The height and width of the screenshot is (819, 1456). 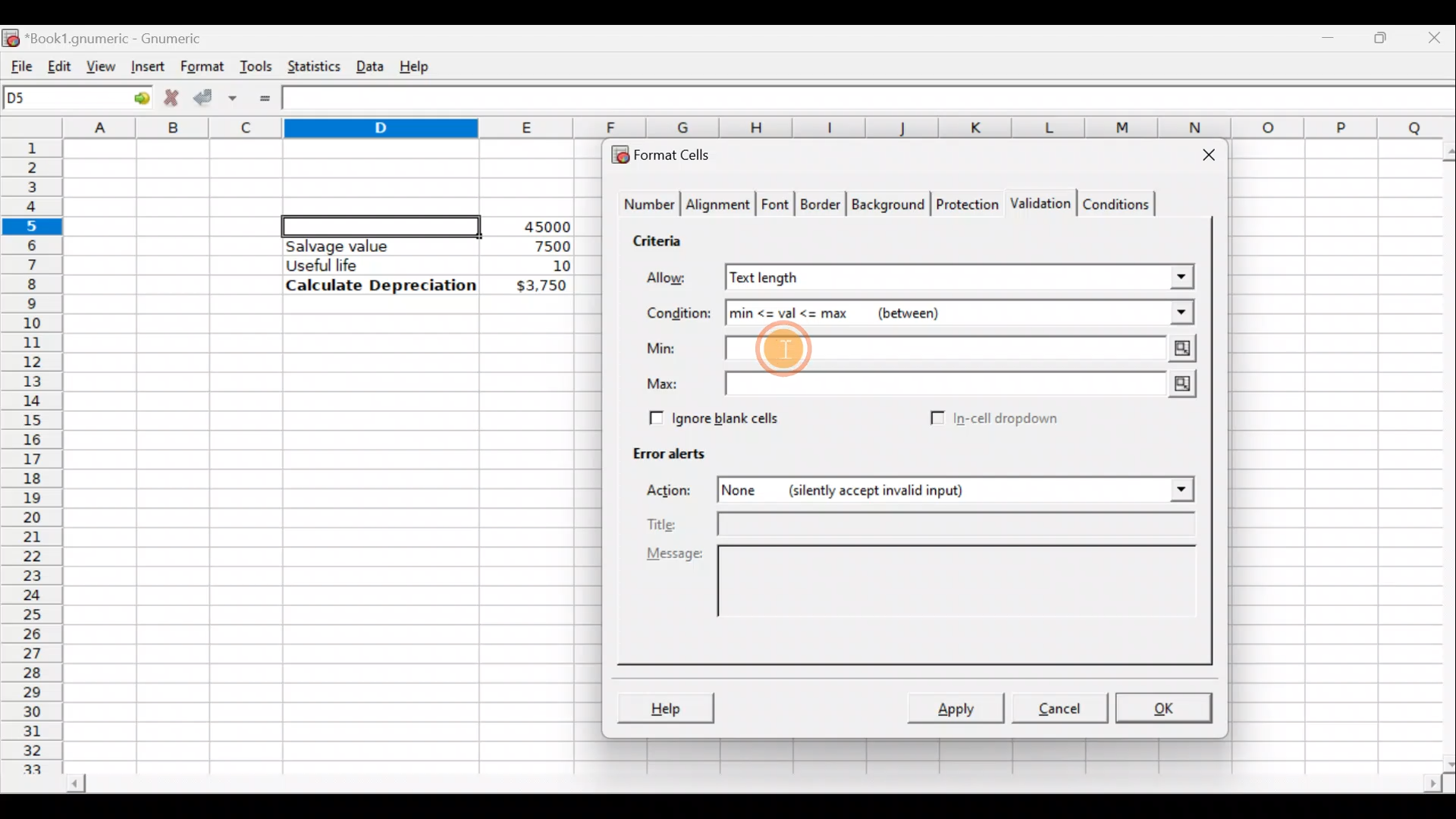 What do you see at coordinates (1169, 490) in the screenshot?
I see `Action drop down` at bounding box center [1169, 490].